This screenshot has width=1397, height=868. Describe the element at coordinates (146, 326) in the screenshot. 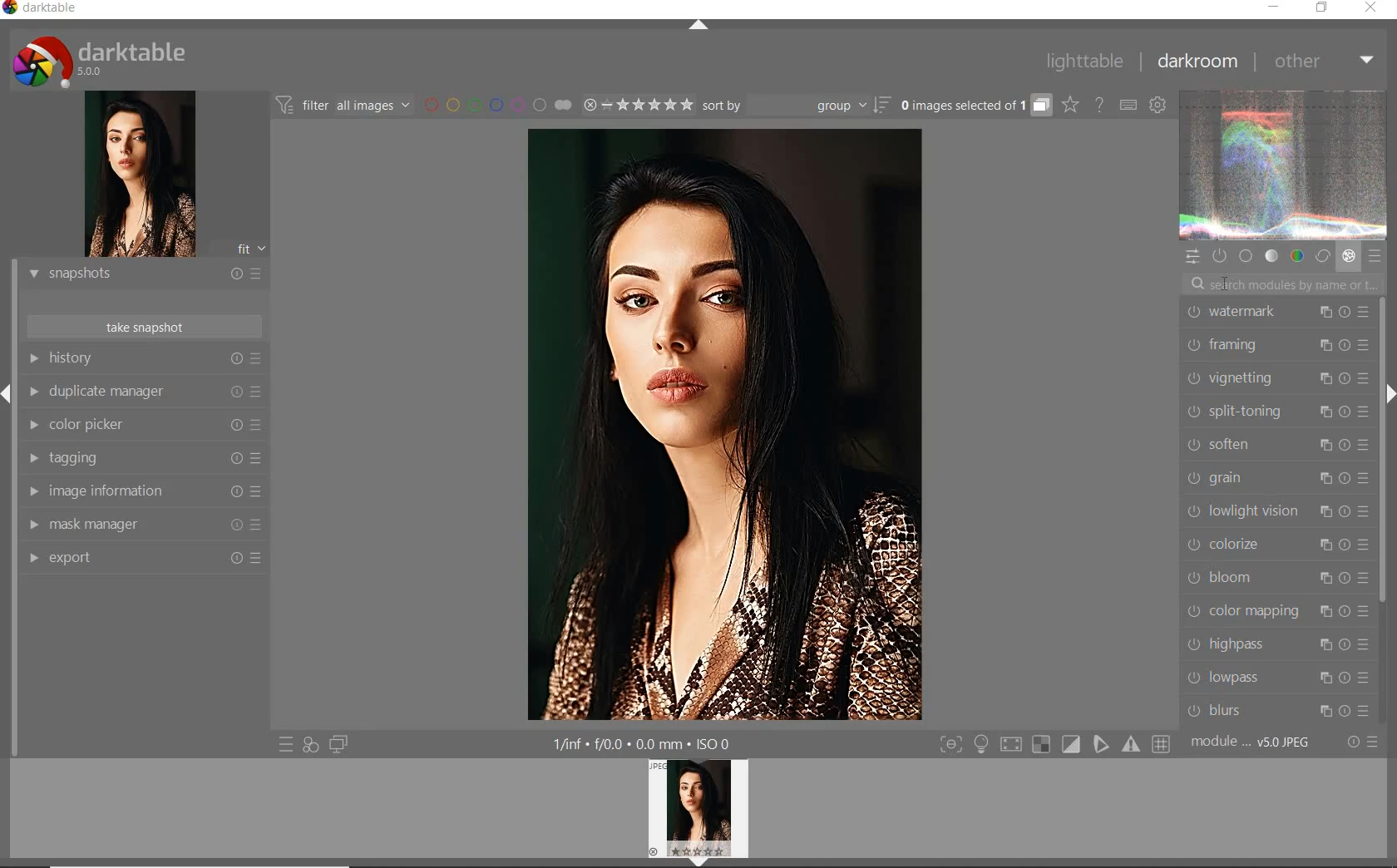

I see `TAKE SNAPSHOTS` at that location.